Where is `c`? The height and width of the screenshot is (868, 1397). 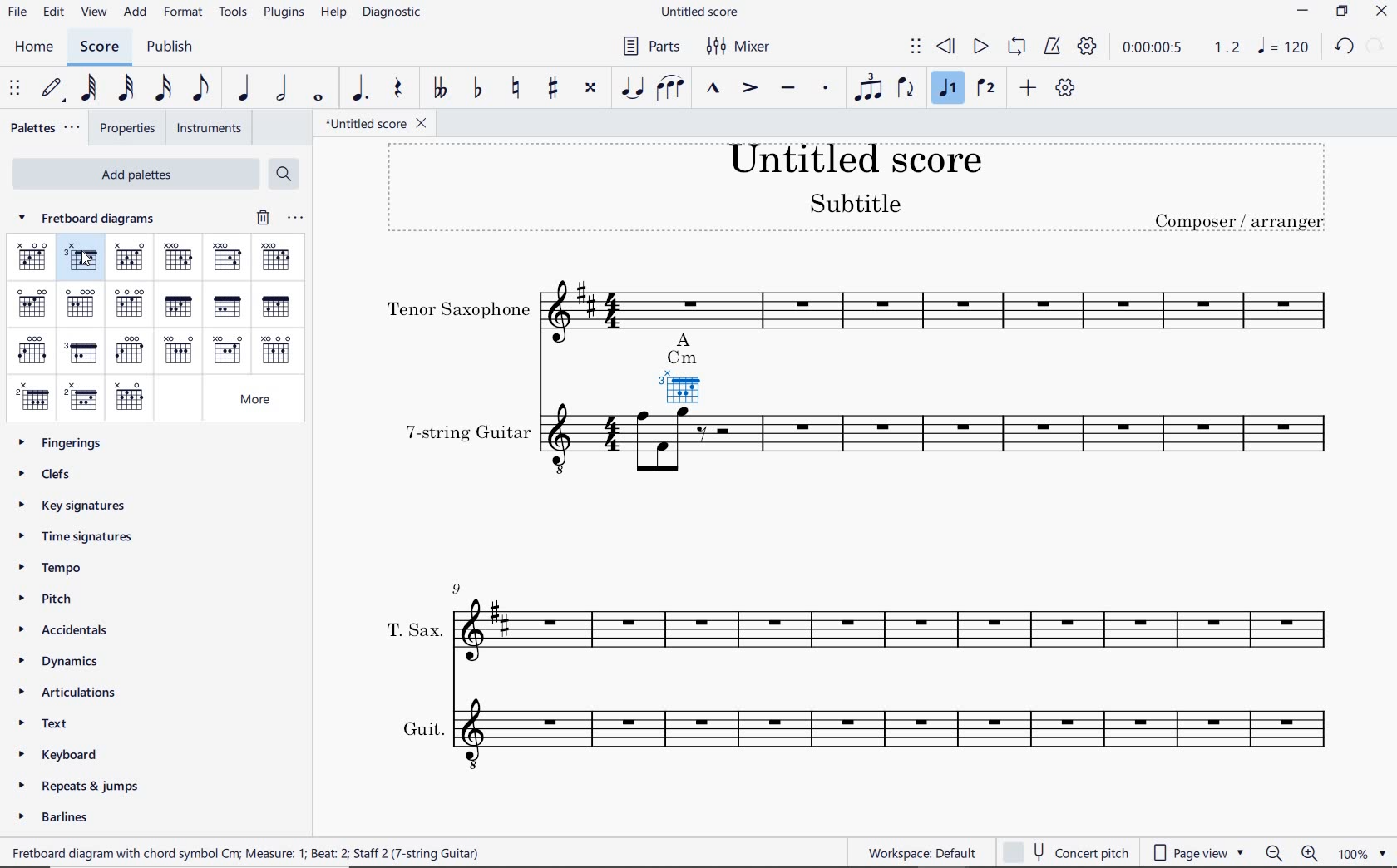
c is located at coordinates (32, 258).